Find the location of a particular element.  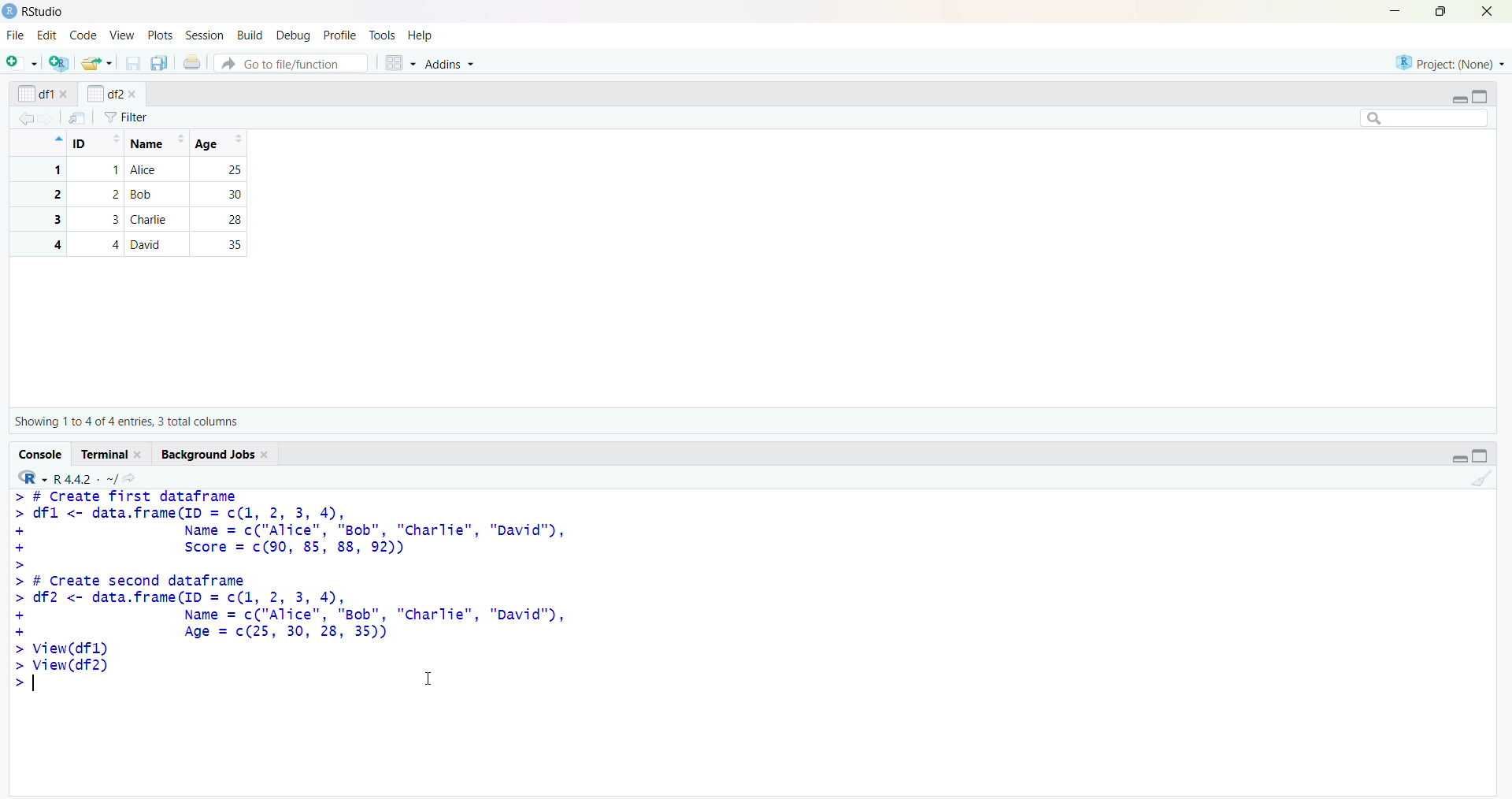

add R file is located at coordinates (60, 63).